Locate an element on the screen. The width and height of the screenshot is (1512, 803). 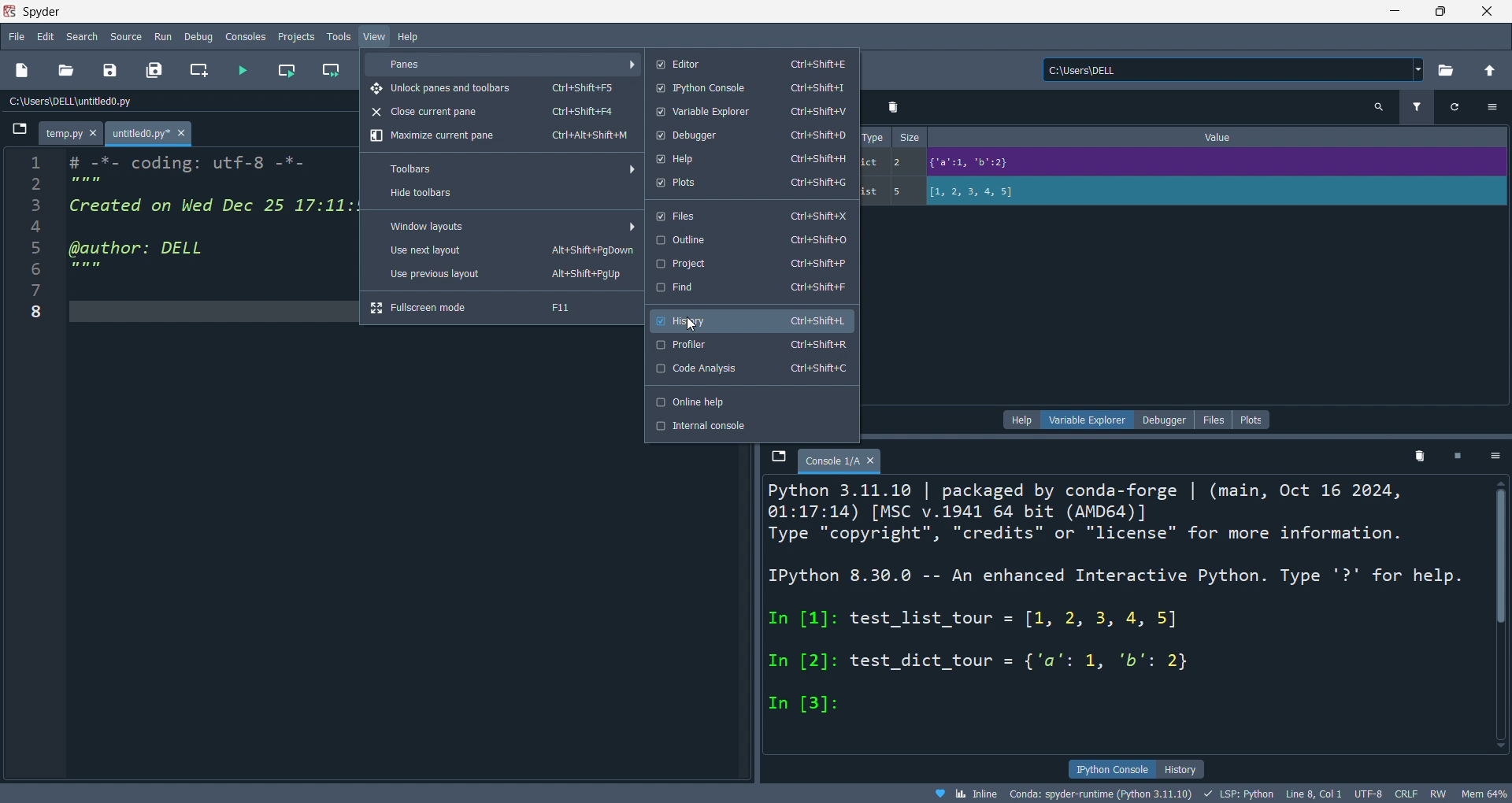
browse tabs is located at coordinates (18, 133).